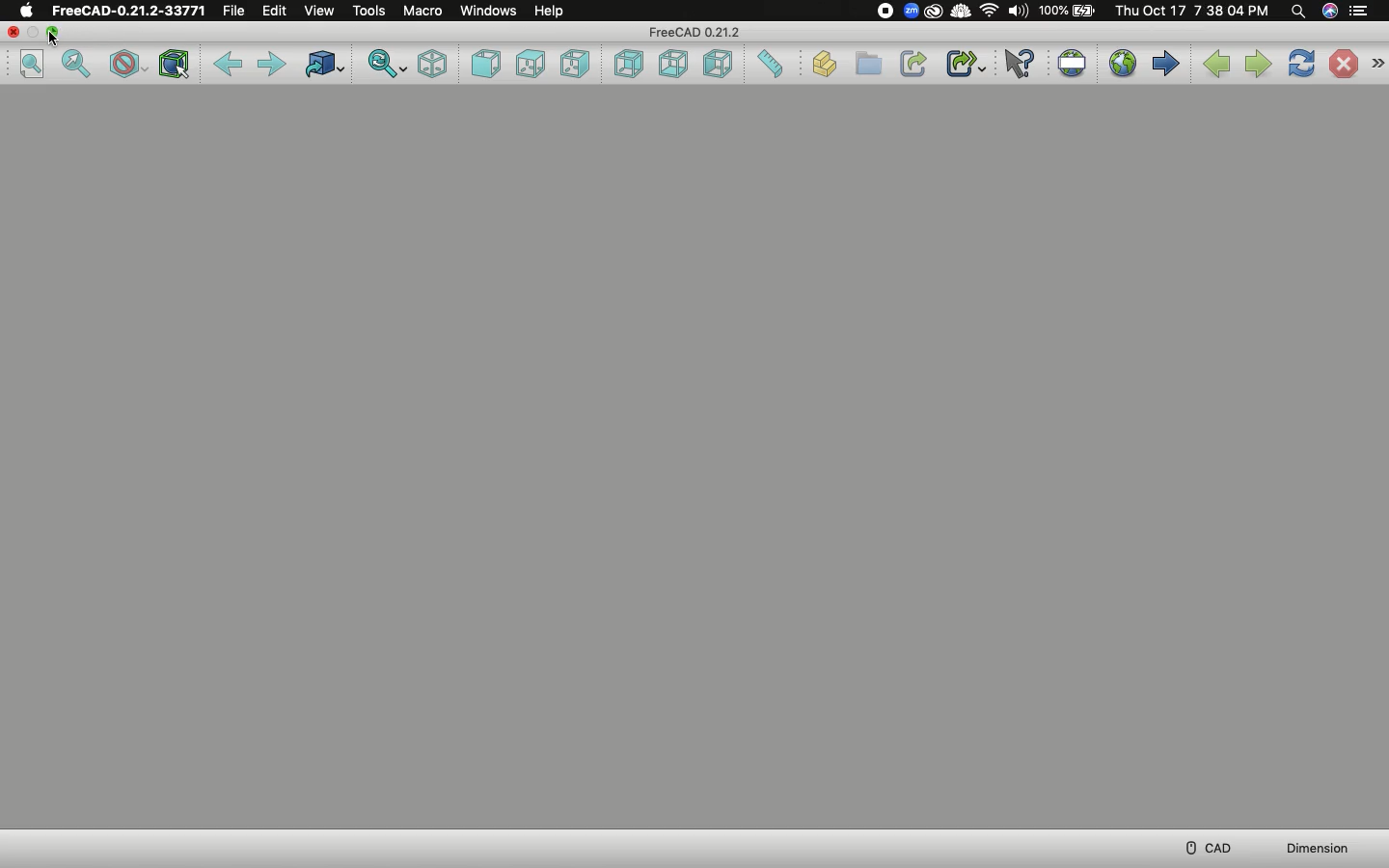 Image resolution: width=1389 pixels, height=868 pixels. I want to click on Right, so click(575, 63).